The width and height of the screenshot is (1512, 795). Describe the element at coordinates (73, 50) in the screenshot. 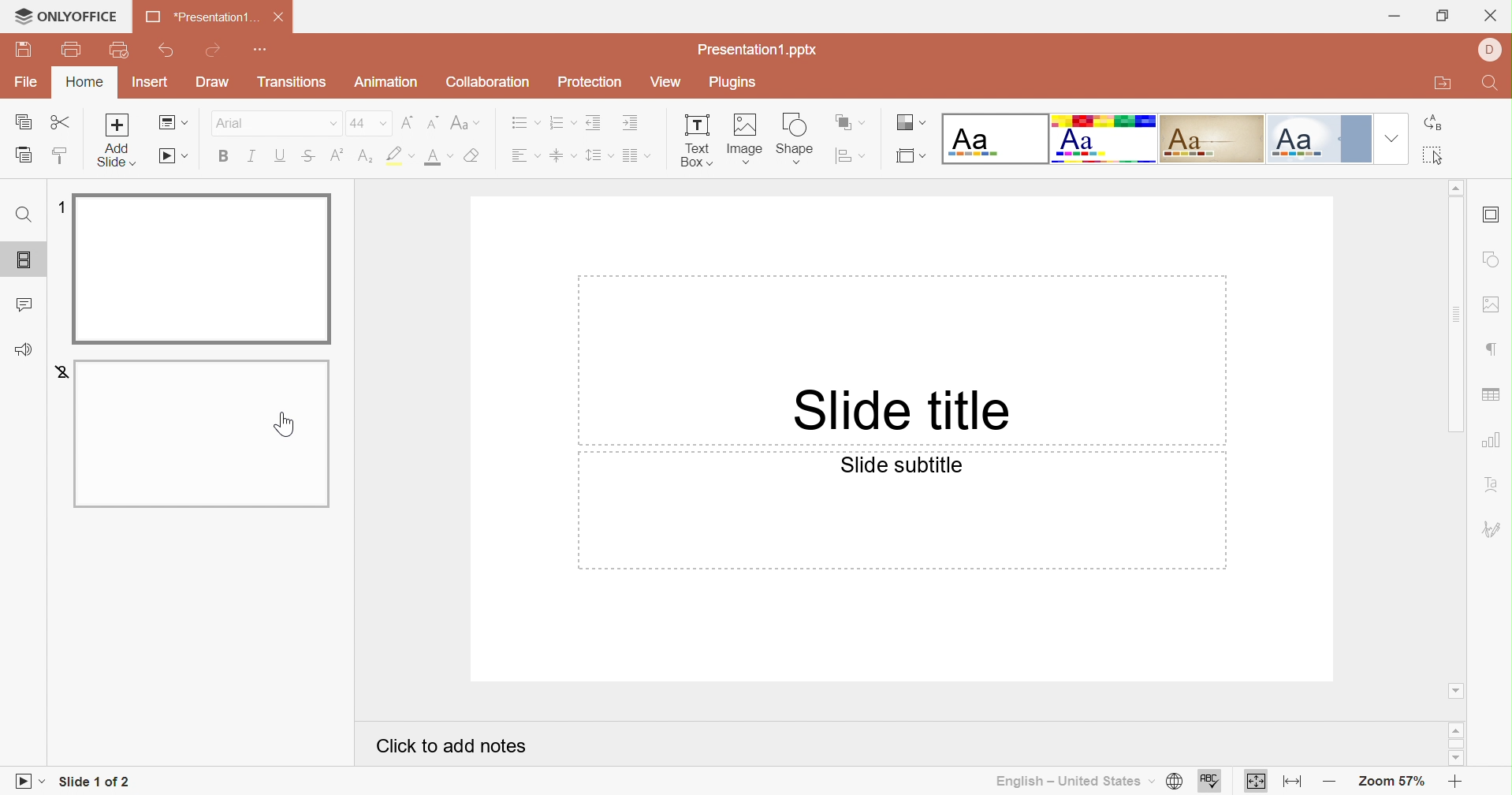

I see `Print file` at that location.